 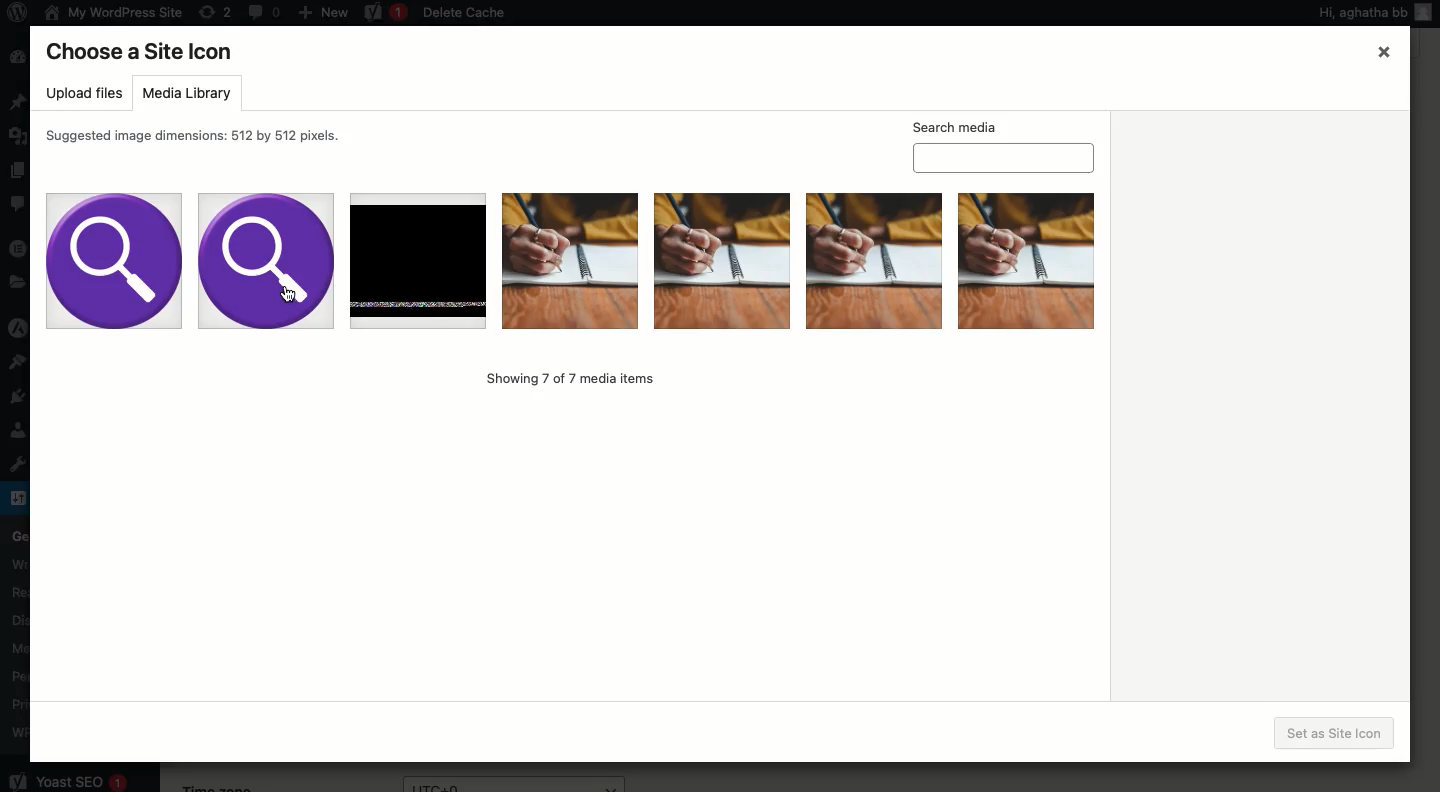 I want to click on Tools, so click(x=20, y=462).